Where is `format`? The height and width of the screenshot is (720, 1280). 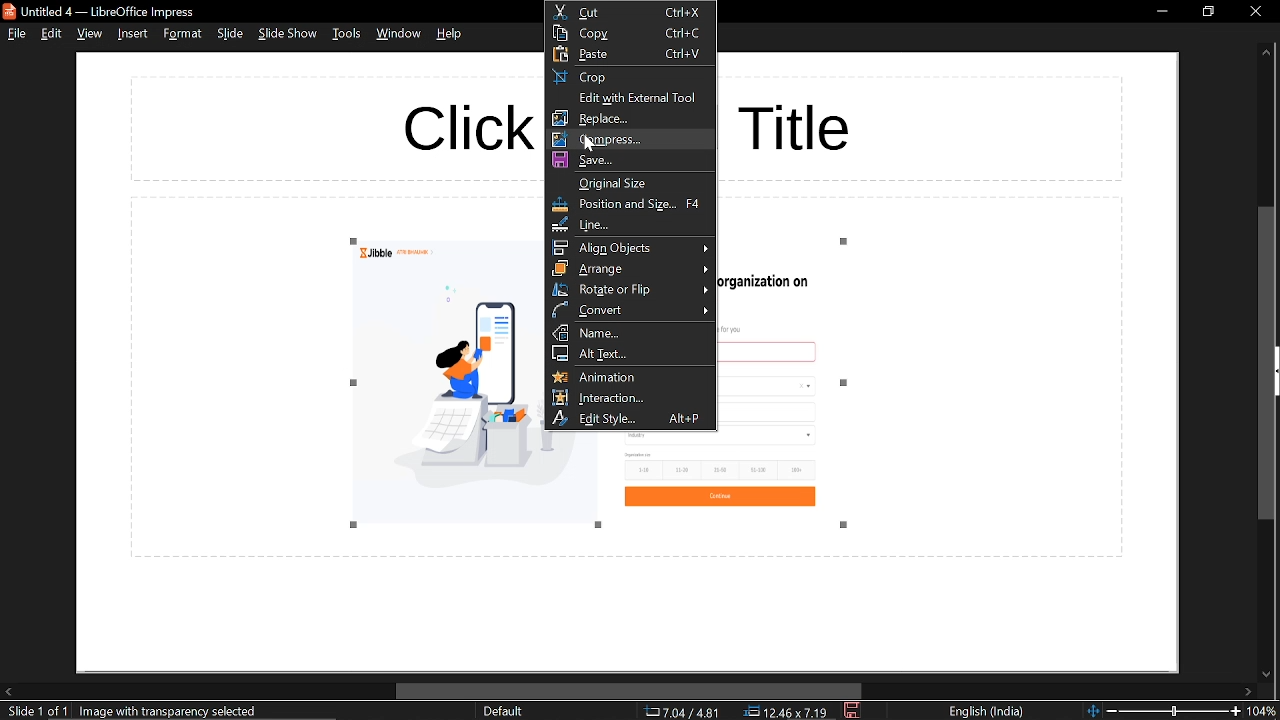
format is located at coordinates (182, 34).